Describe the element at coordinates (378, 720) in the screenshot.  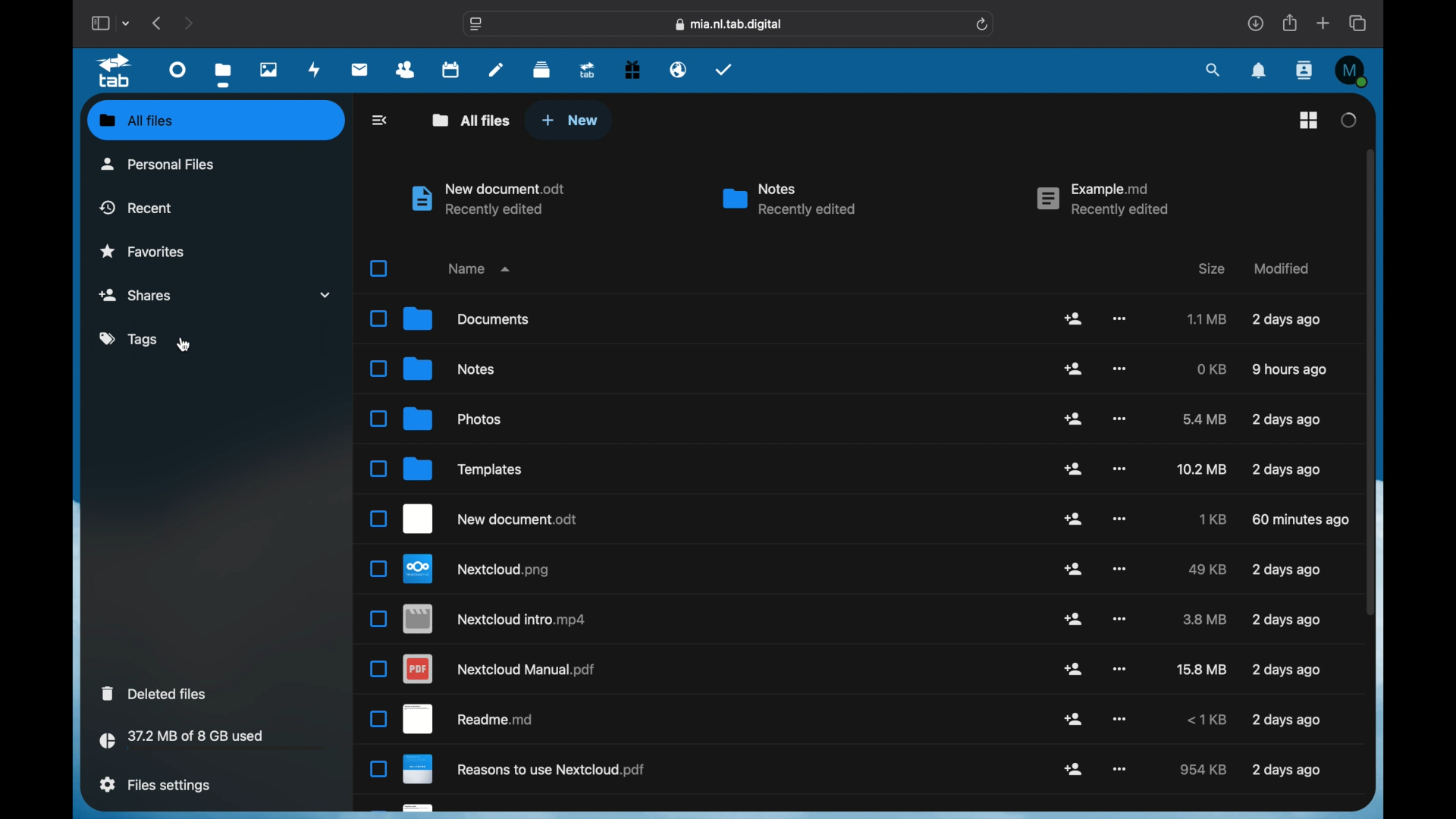
I see `Unselected checkbox` at that location.